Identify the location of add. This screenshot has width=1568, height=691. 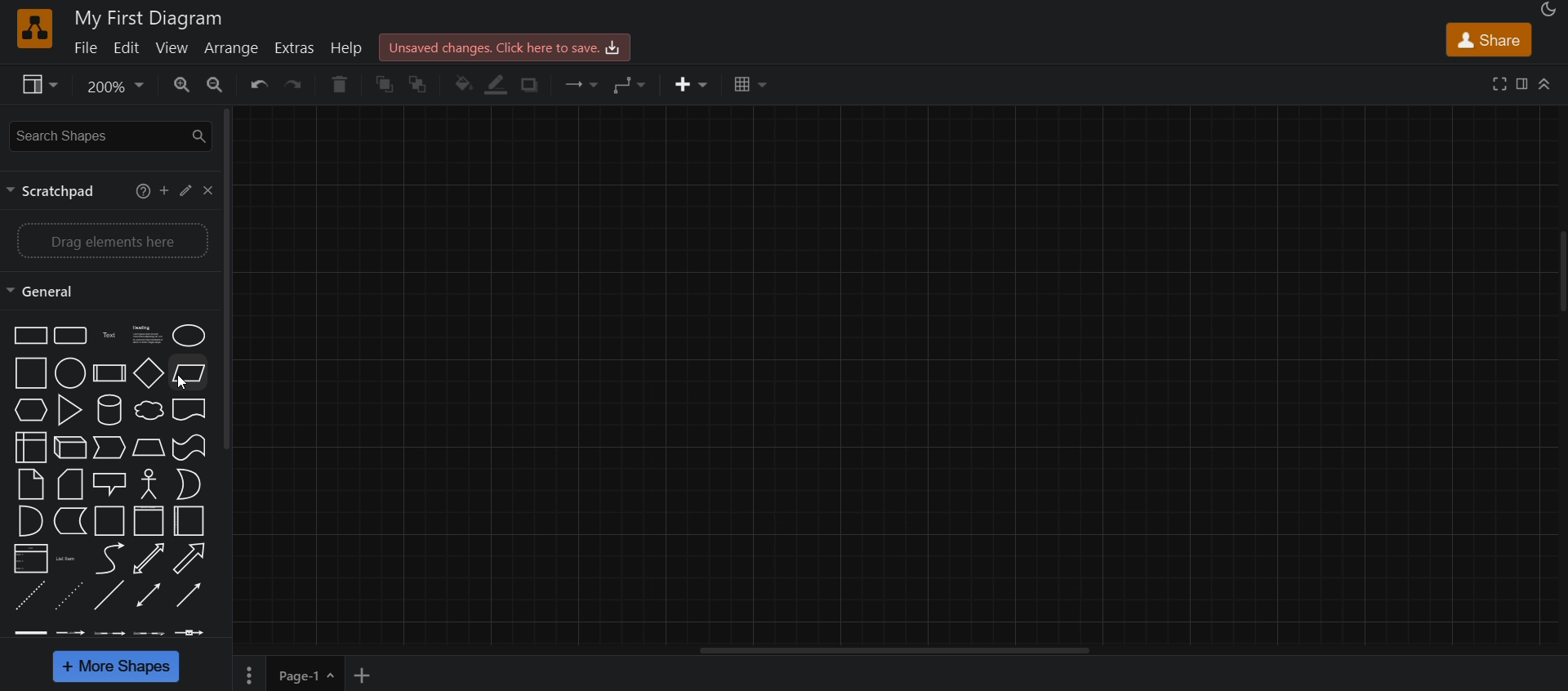
(160, 192).